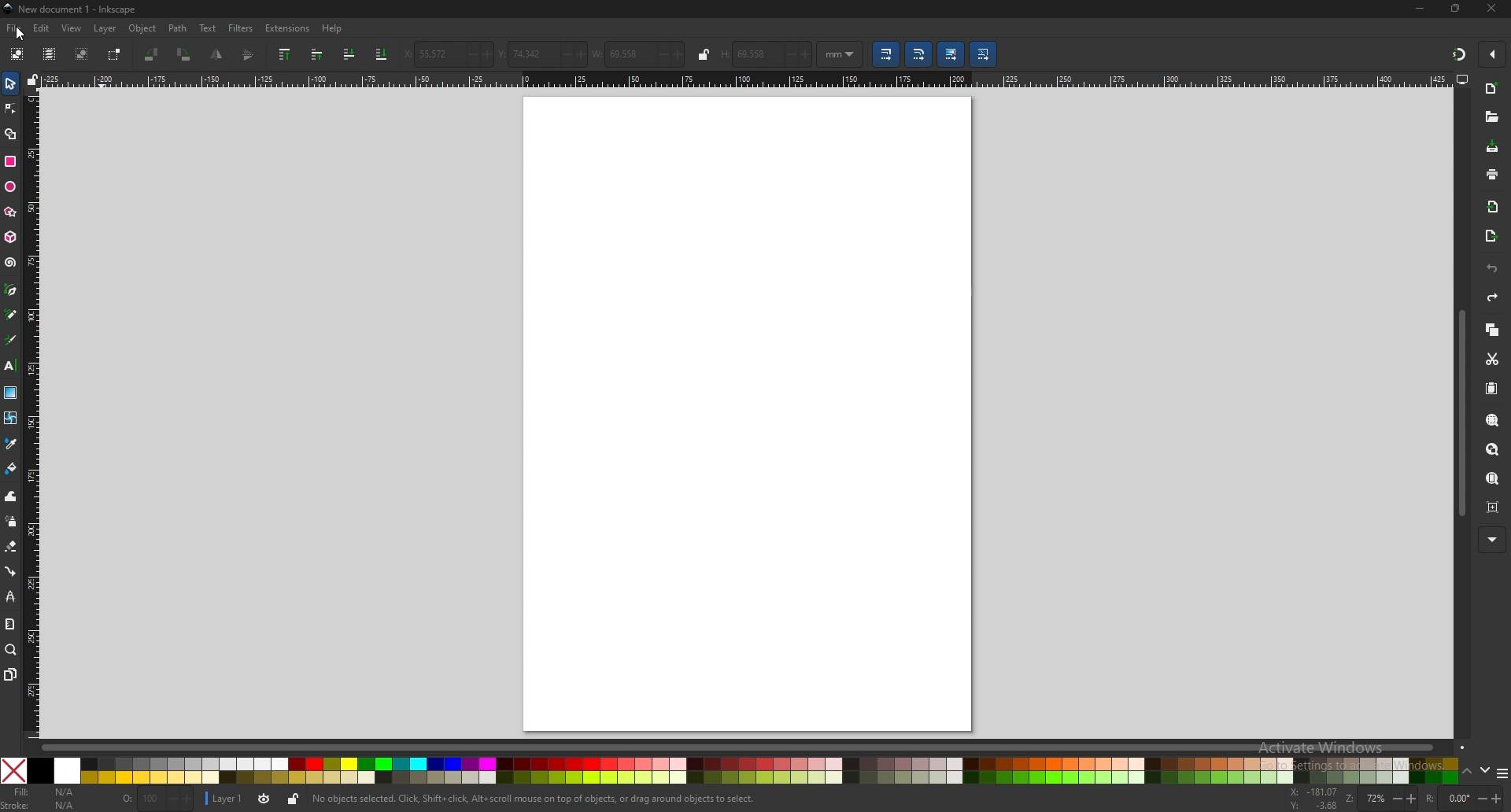 This screenshot has width=1511, height=812. I want to click on stroke, so click(39, 806).